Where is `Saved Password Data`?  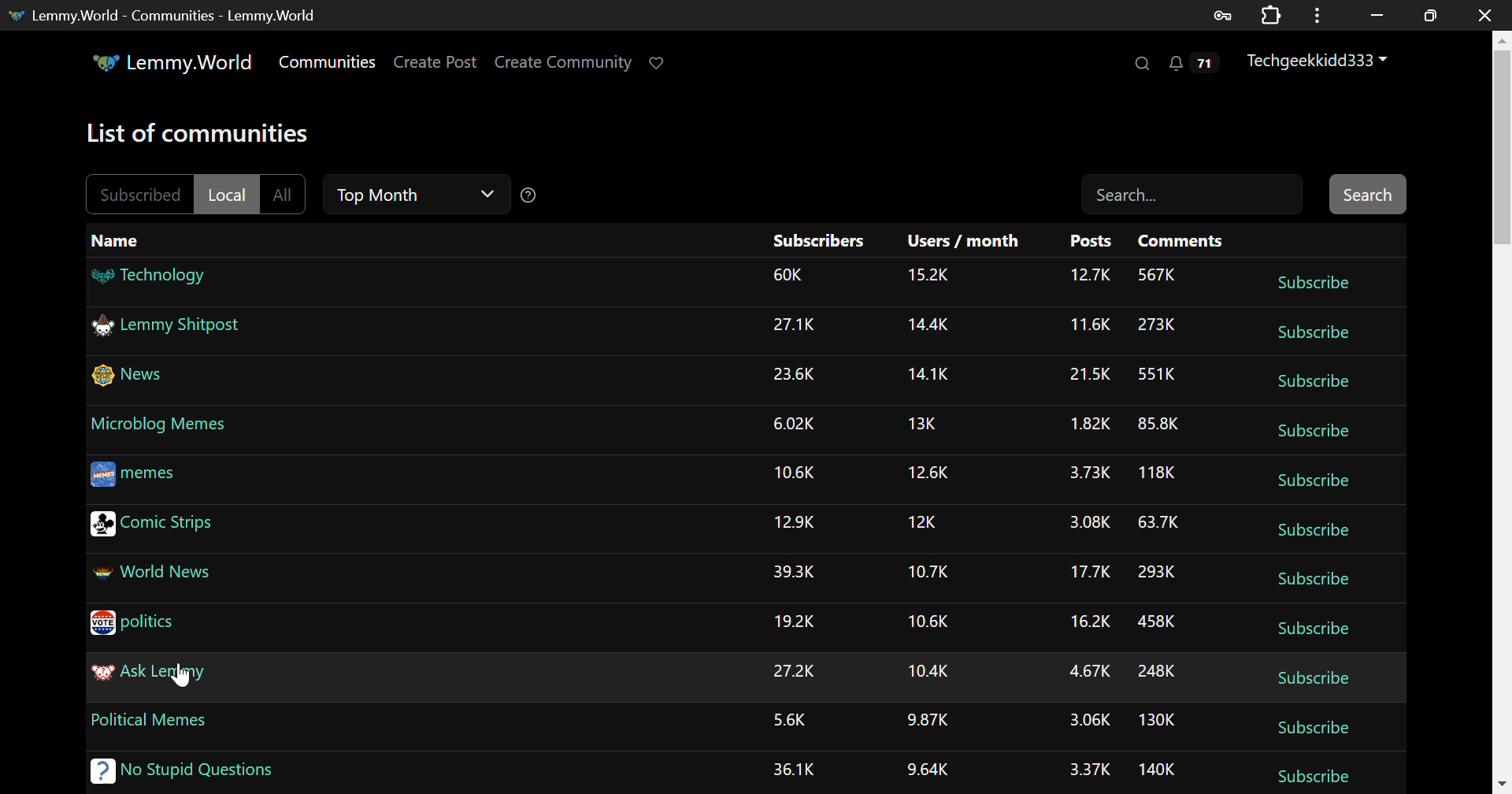 Saved Password Data is located at coordinates (1221, 16).